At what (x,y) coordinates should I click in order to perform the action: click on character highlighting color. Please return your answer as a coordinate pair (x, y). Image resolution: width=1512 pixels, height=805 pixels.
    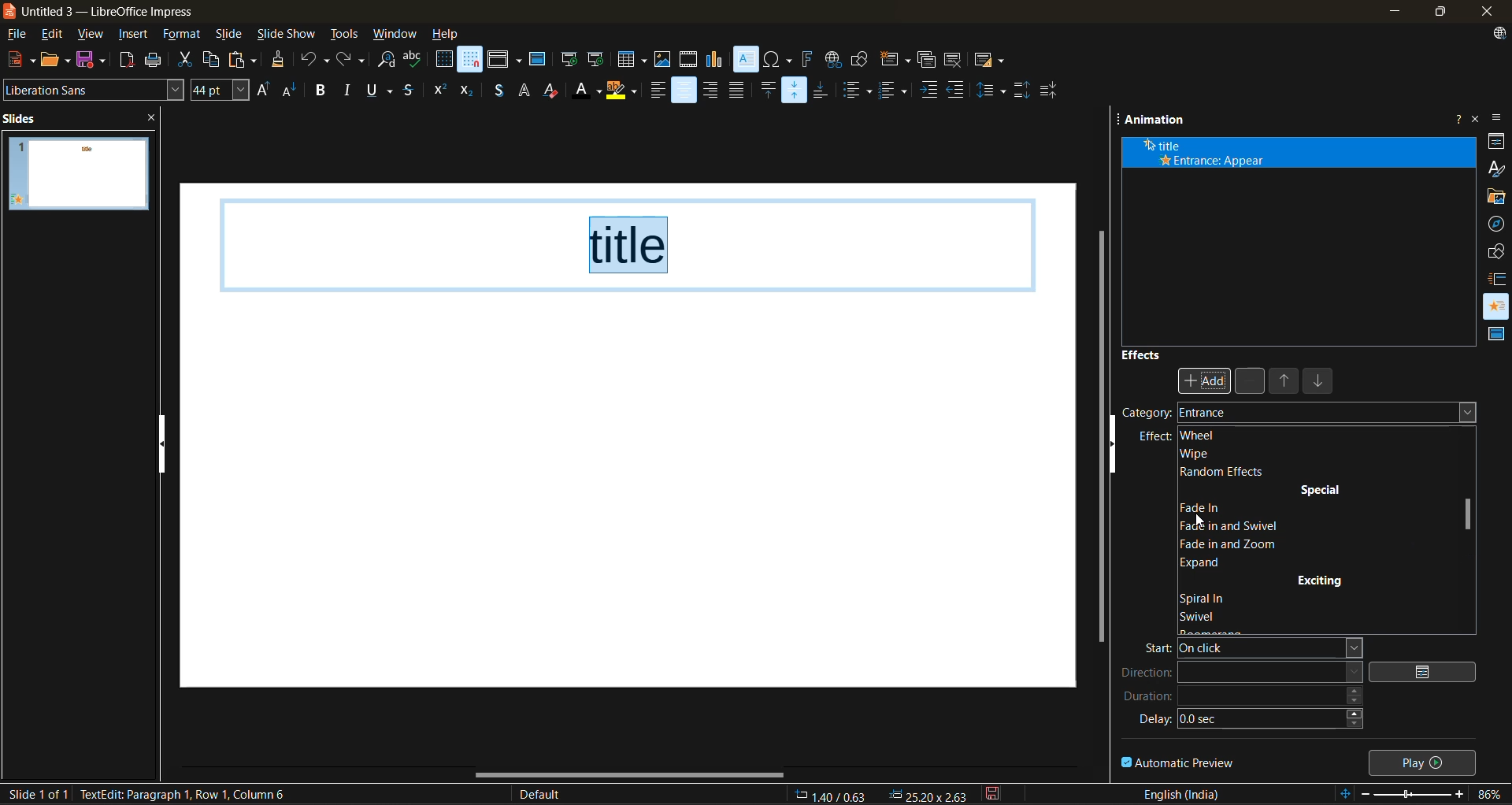
    Looking at the image, I should click on (623, 91).